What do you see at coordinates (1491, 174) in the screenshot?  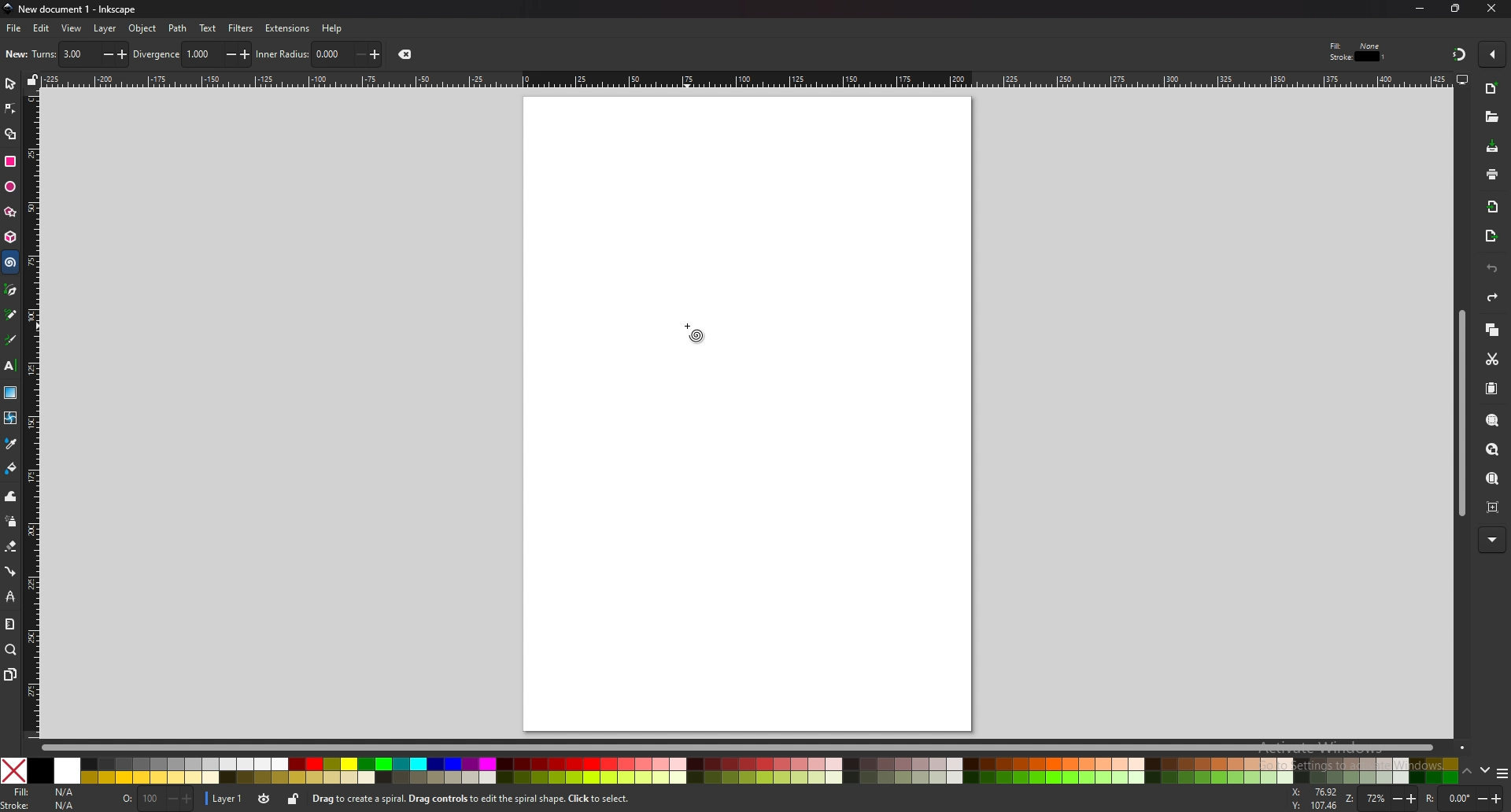 I see `print` at bounding box center [1491, 174].